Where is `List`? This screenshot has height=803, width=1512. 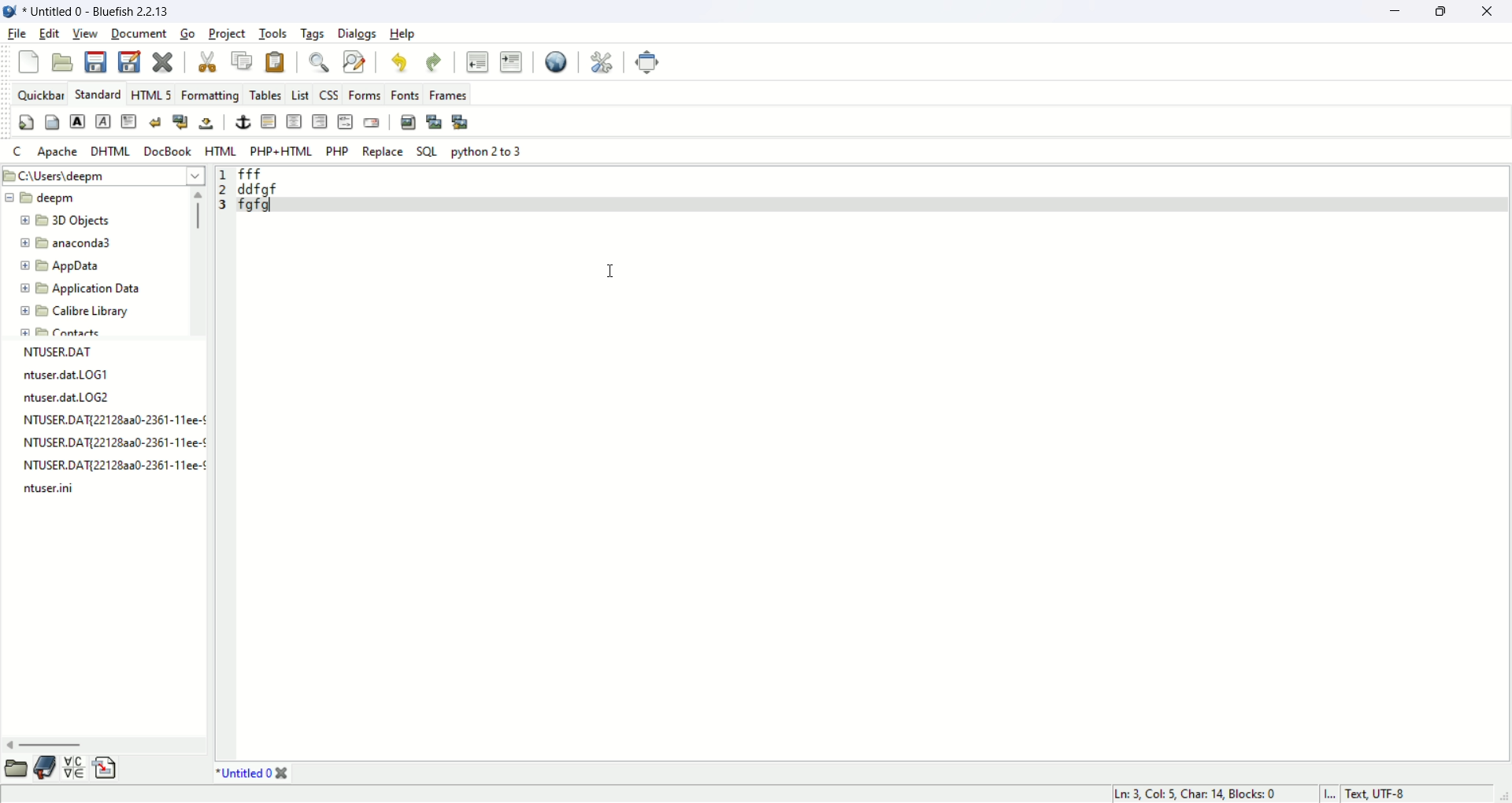 List is located at coordinates (298, 94).